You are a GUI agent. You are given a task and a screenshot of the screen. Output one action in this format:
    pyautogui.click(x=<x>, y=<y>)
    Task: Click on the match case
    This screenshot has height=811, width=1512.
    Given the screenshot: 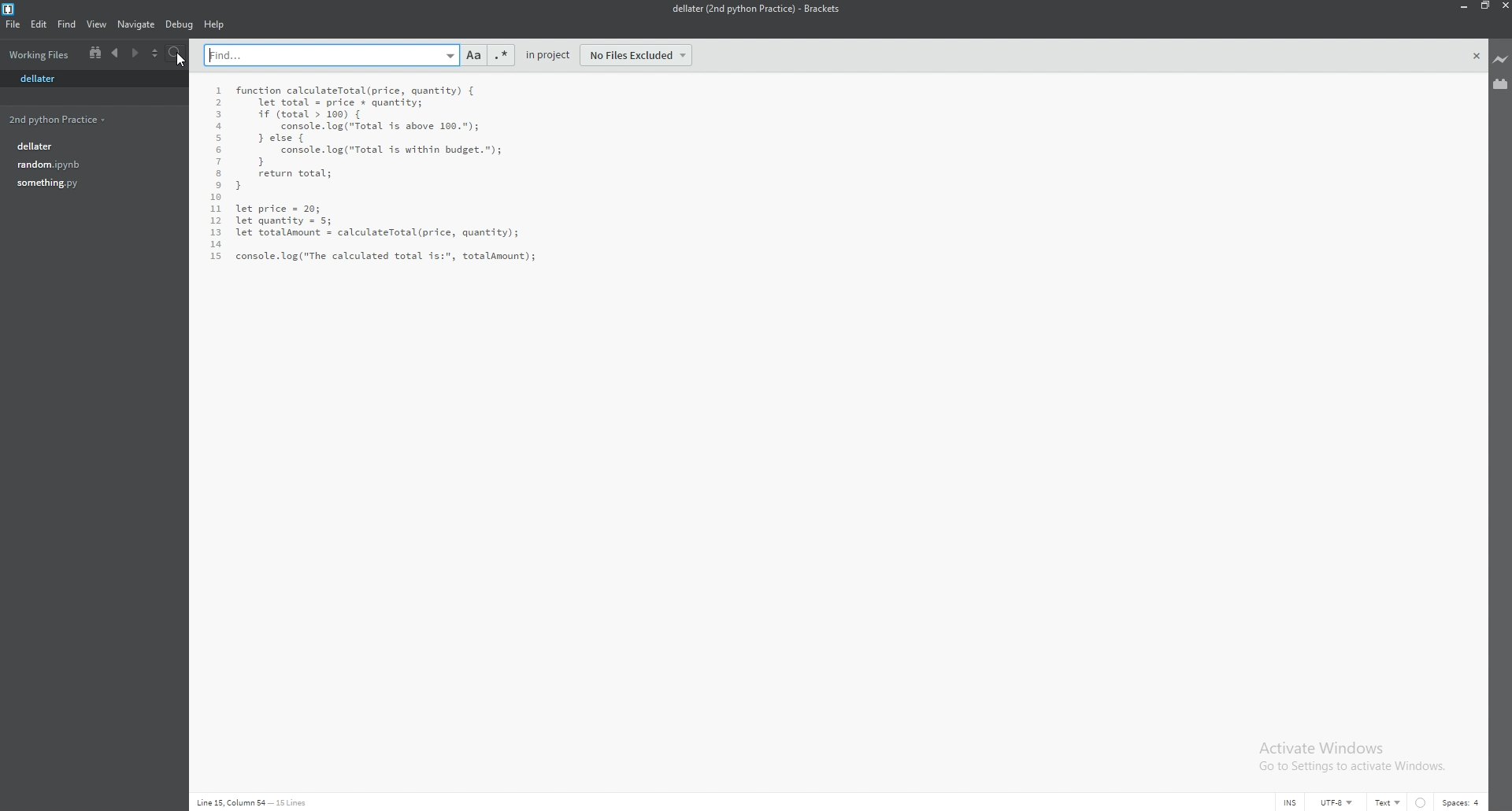 What is the action you would take?
    pyautogui.click(x=474, y=55)
    